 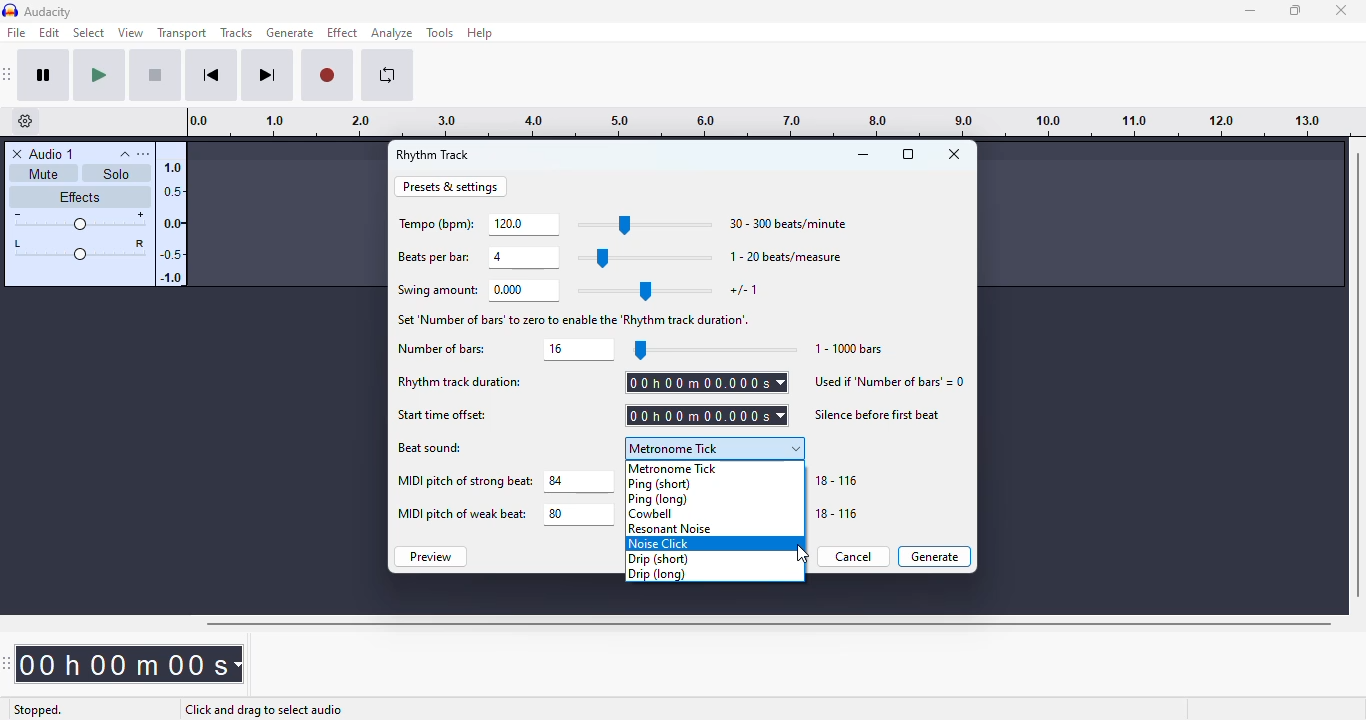 I want to click on delete track, so click(x=17, y=154).